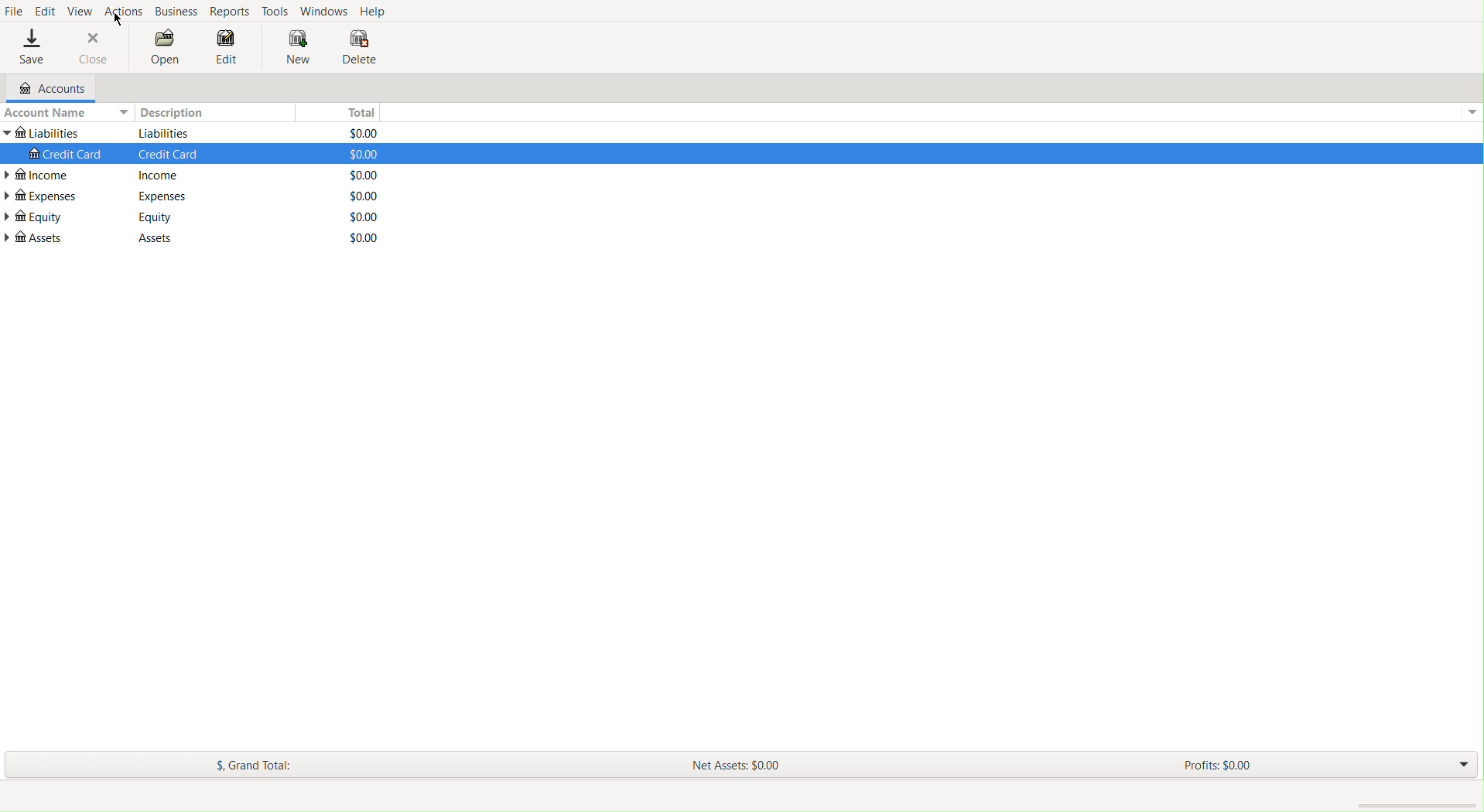 This screenshot has width=1484, height=812. I want to click on Save, so click(31, 46).